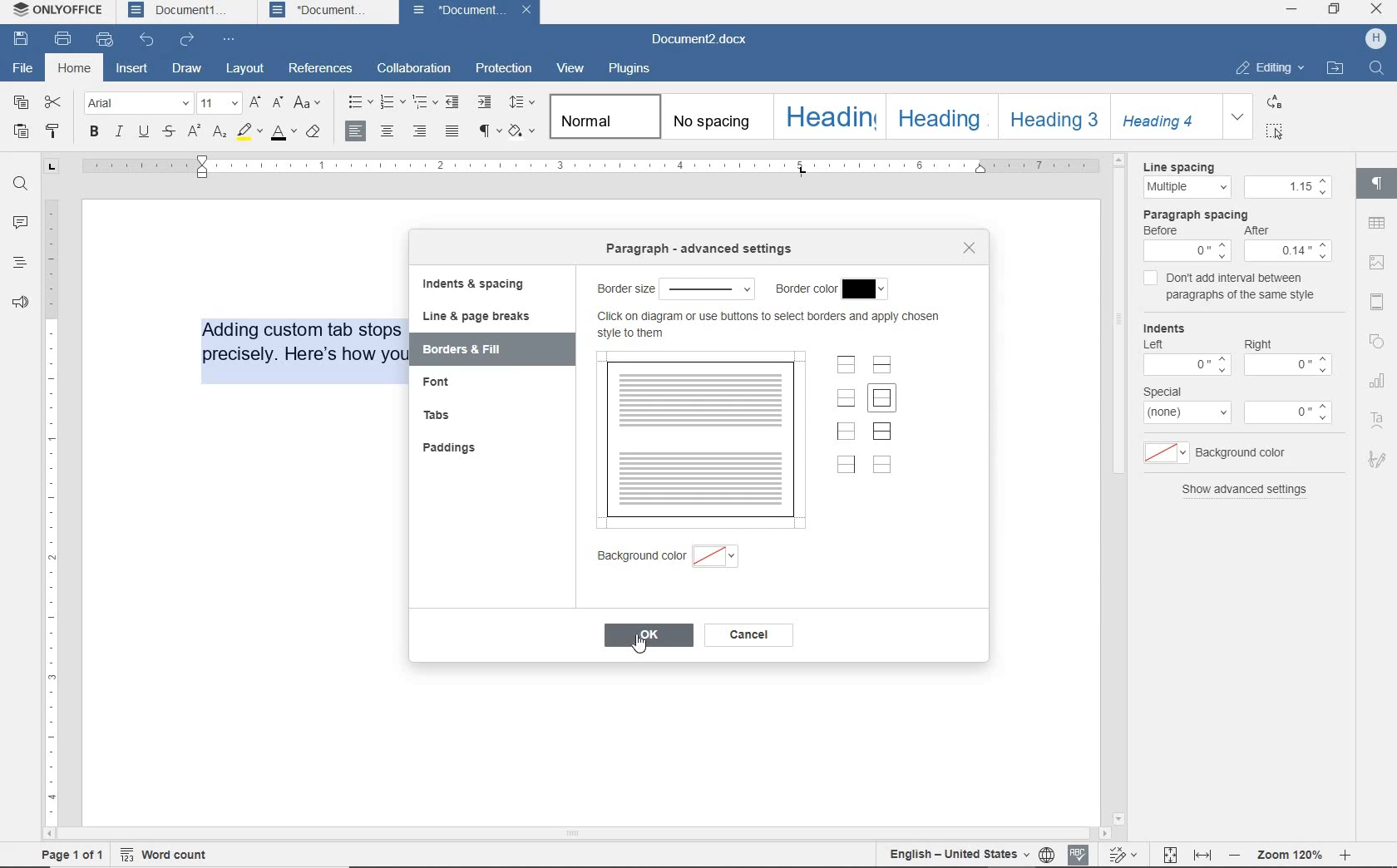 The width and height of the screenshot is (1397, 868). Describe the element at coordinates (22, 132) in the screenshot. I see `paste` at that location.